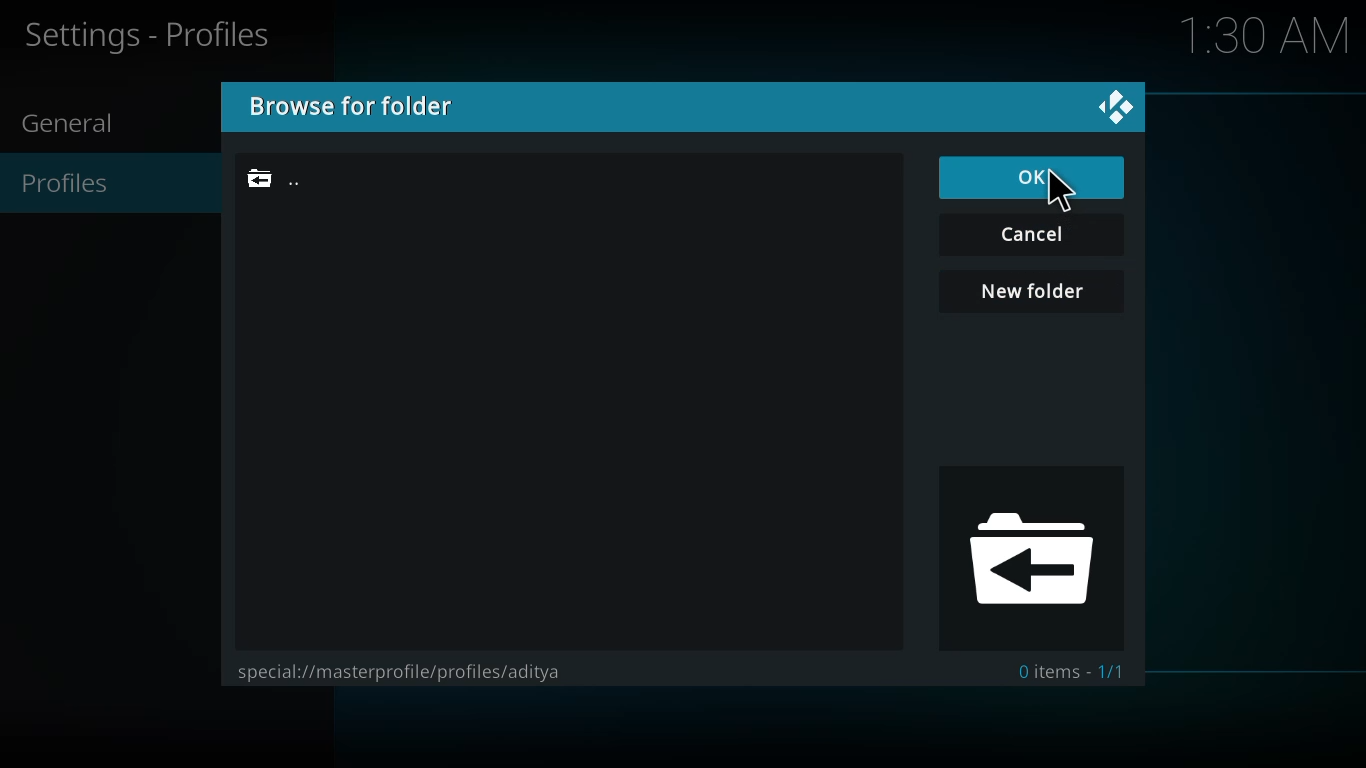  Describe the element at coordinates (280, 178) in the screenshot. I see `back` at that location.